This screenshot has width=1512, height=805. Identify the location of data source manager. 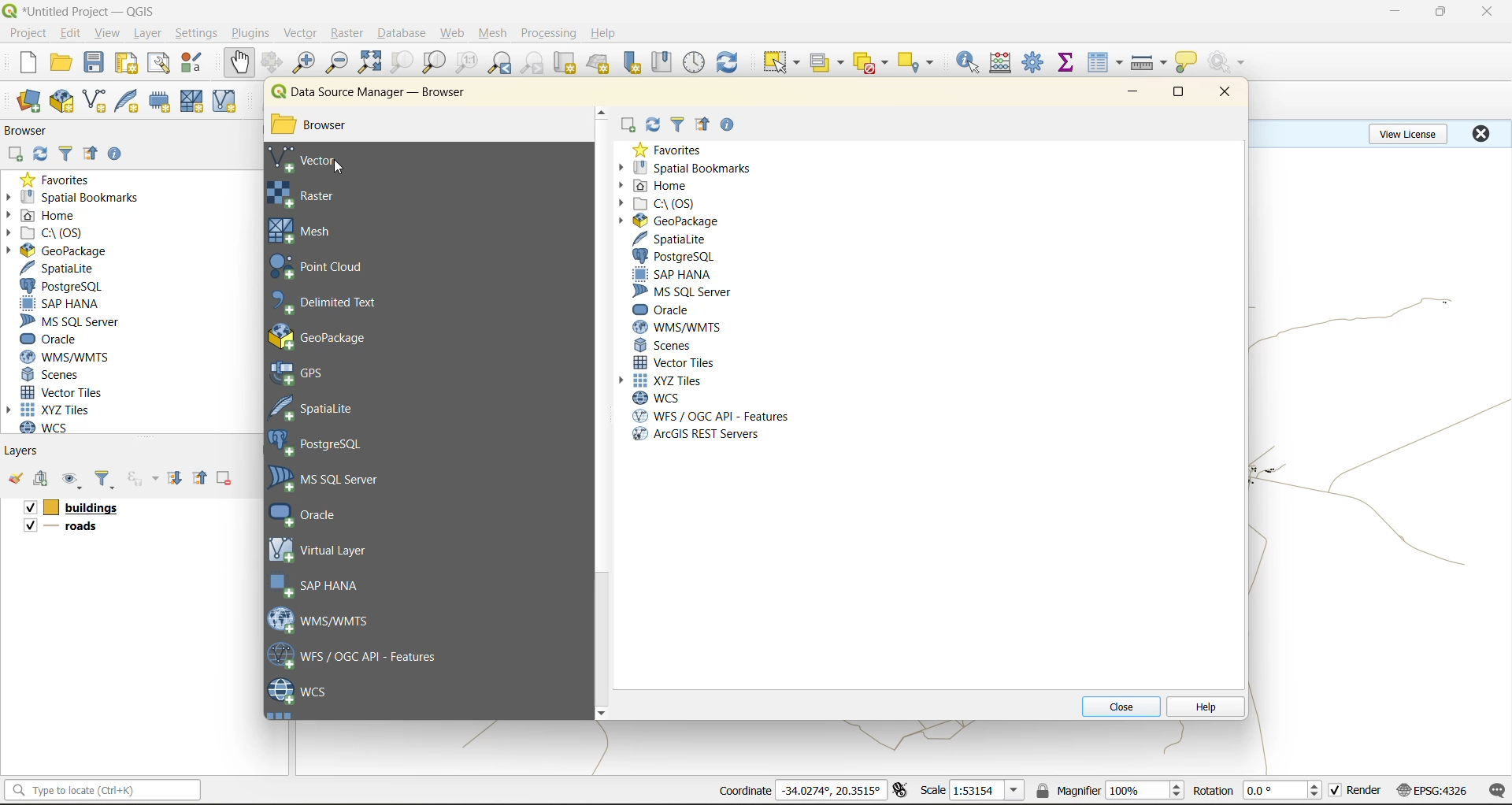
(372, 95).